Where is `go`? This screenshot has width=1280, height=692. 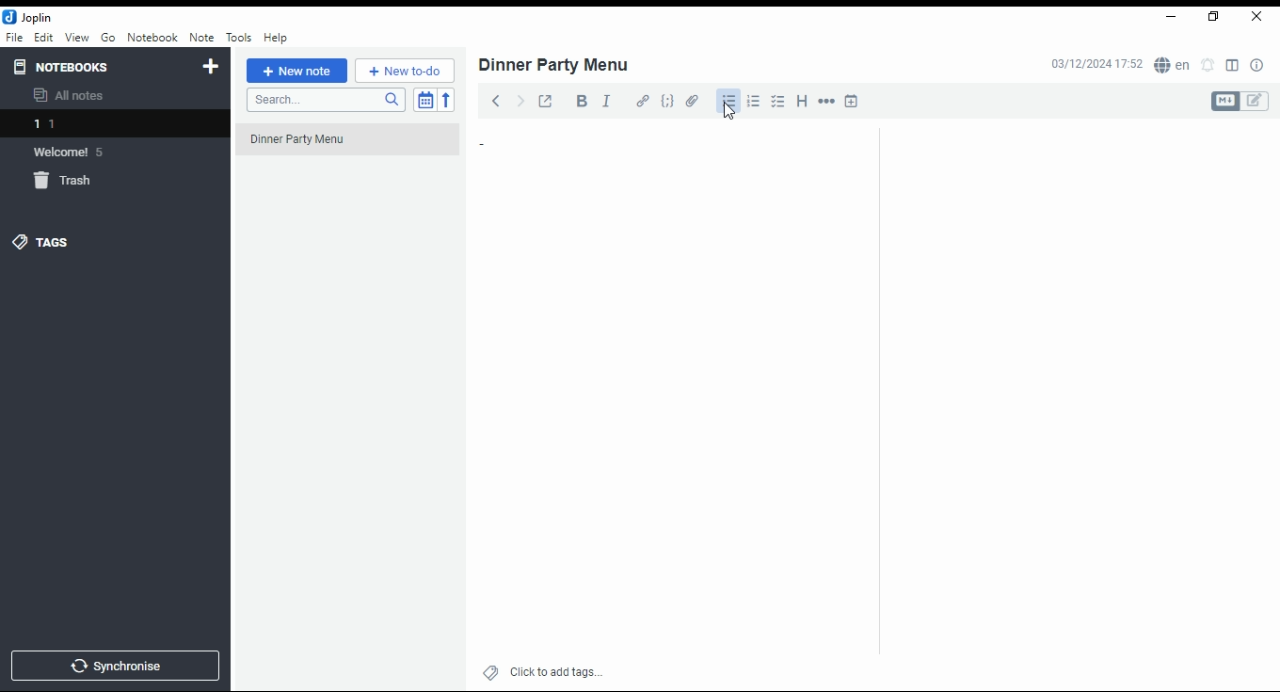
go is located at coordinates (108, 38).